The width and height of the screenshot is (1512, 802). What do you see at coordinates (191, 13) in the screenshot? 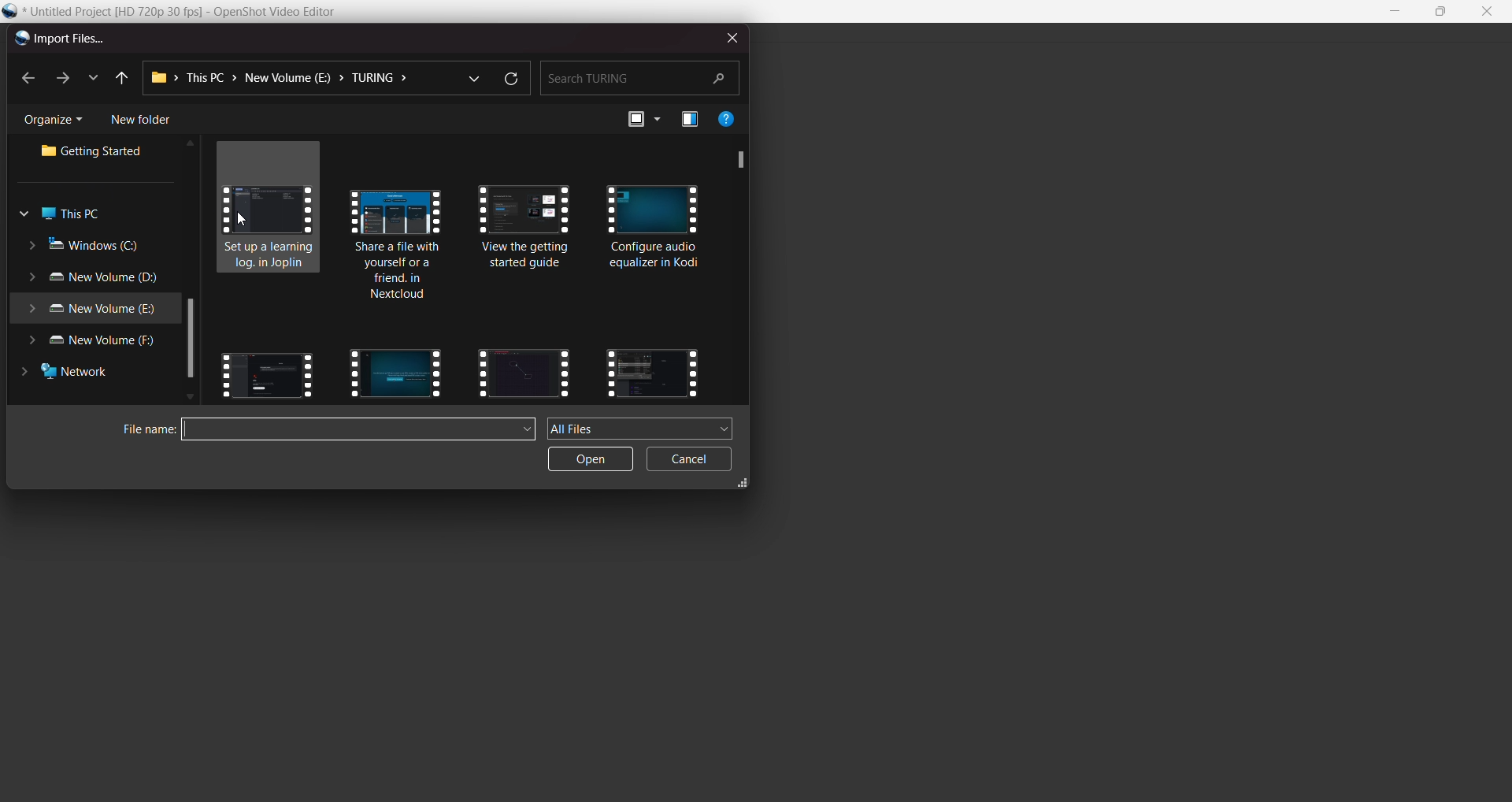
I see `file name` at bounding box center [191, 13].